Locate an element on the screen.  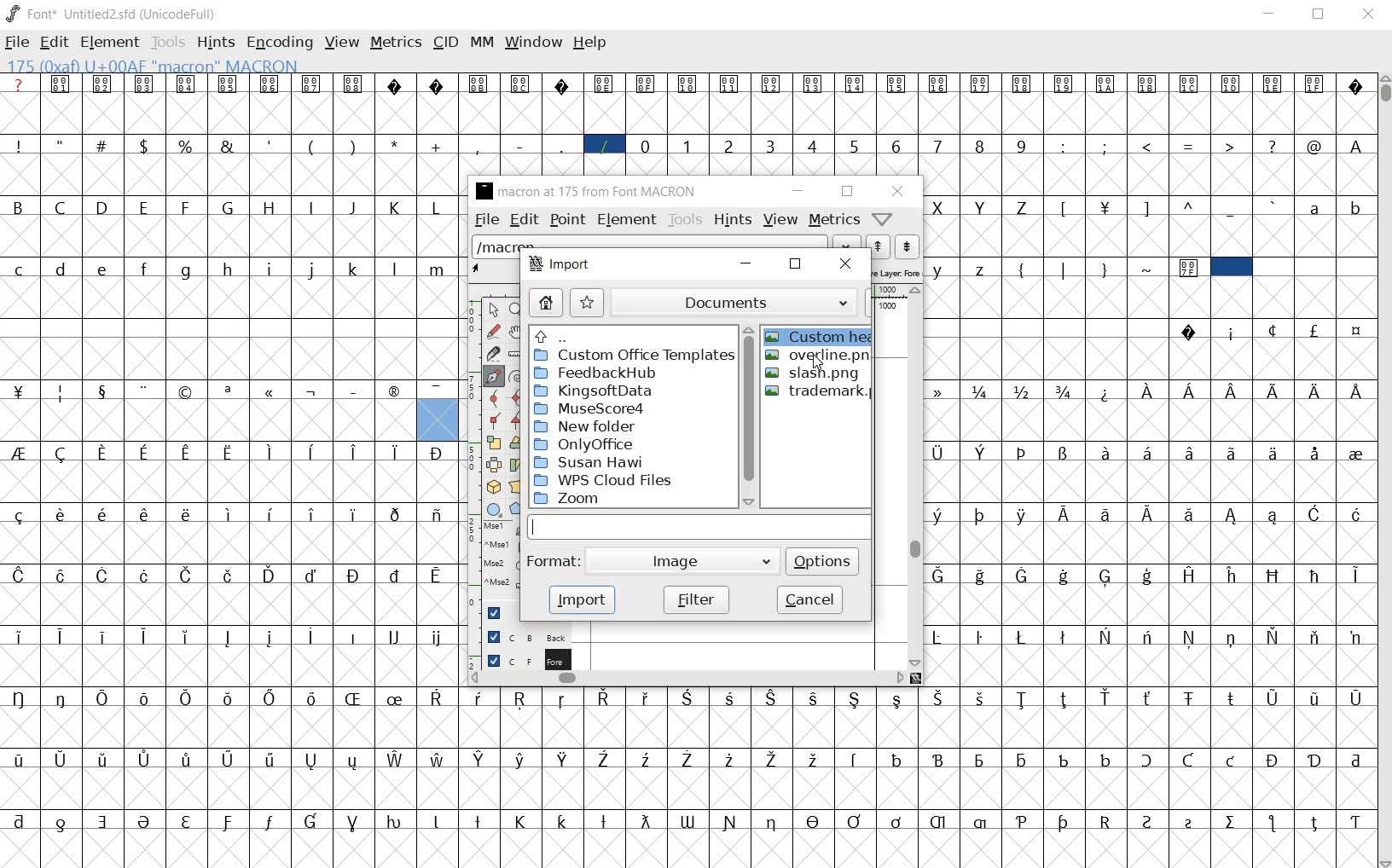
Symbol is located at coordinates (896, 697).